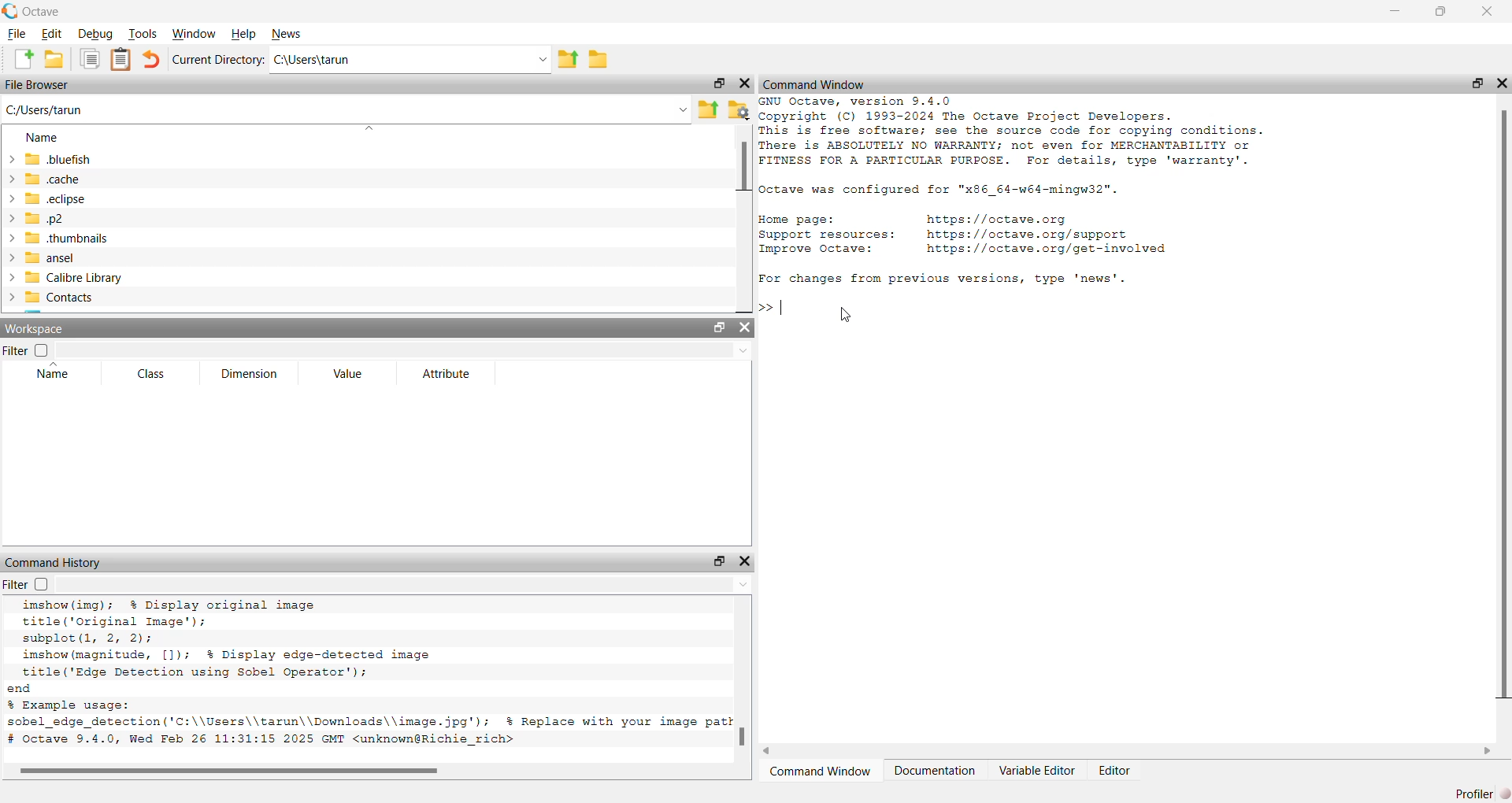 The width and height of the screenshot is (1512, 803). Describe the element at coordinates (54, 59) in the screenshot. I see `open folder` at that location.